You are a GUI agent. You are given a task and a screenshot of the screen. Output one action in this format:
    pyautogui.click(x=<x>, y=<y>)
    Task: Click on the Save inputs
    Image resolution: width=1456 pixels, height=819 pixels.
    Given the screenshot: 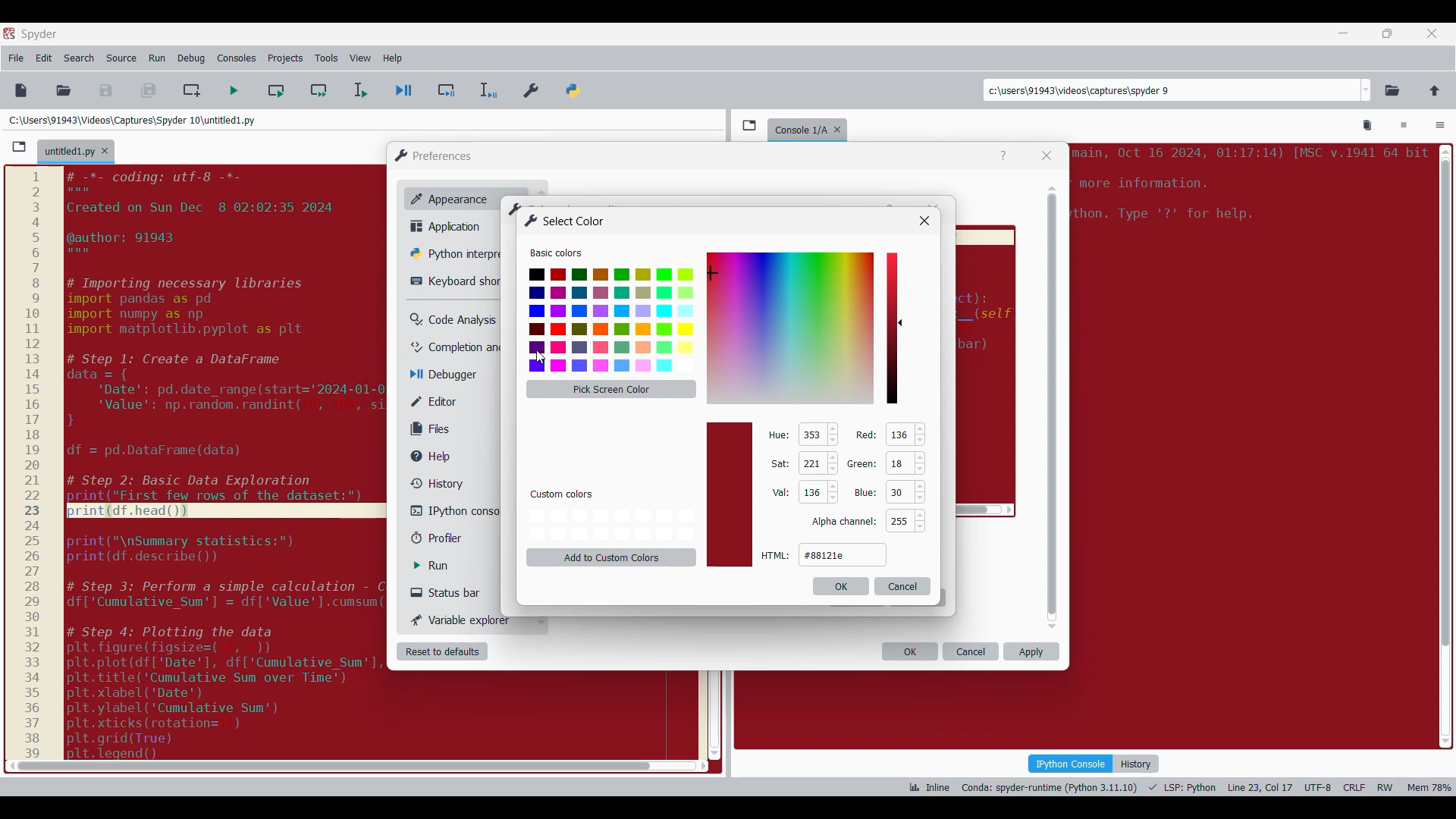 What is the action you would take?
    pyautogui.click(x=840, y=586)
    